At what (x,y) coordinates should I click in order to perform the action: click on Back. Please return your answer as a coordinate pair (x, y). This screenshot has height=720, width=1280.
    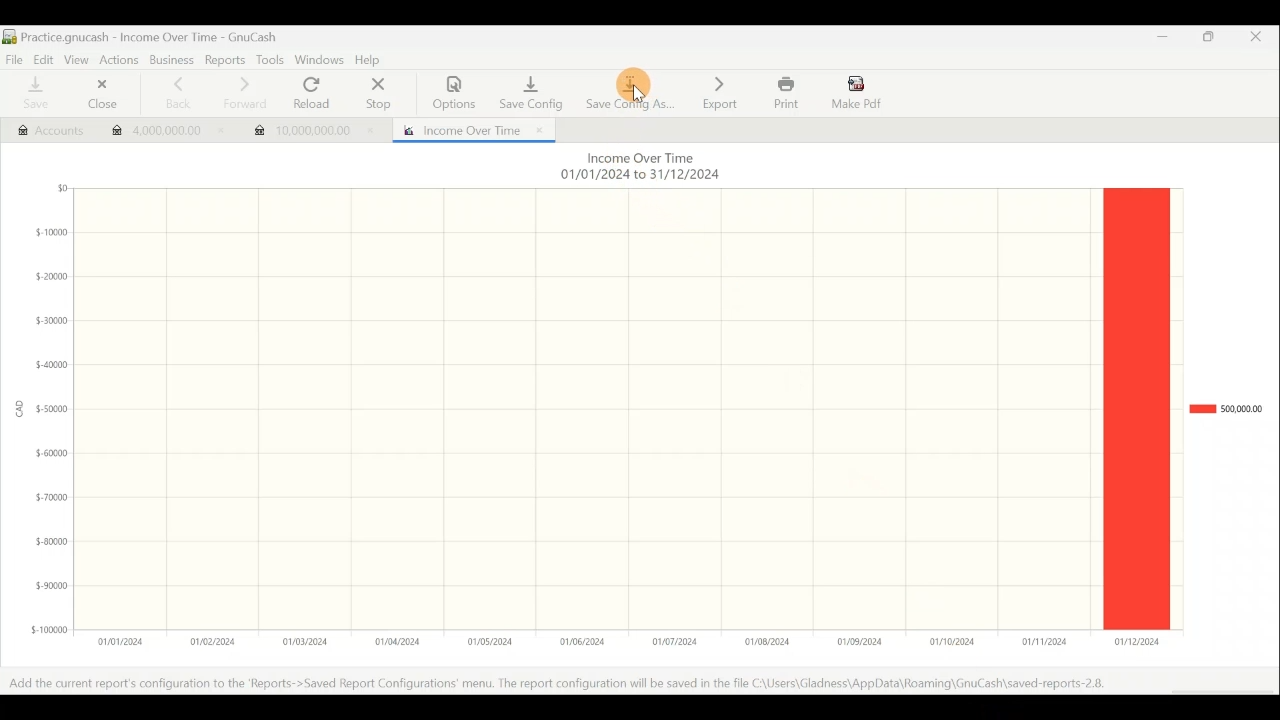
    Looking at the image, I should click on (172, 93).